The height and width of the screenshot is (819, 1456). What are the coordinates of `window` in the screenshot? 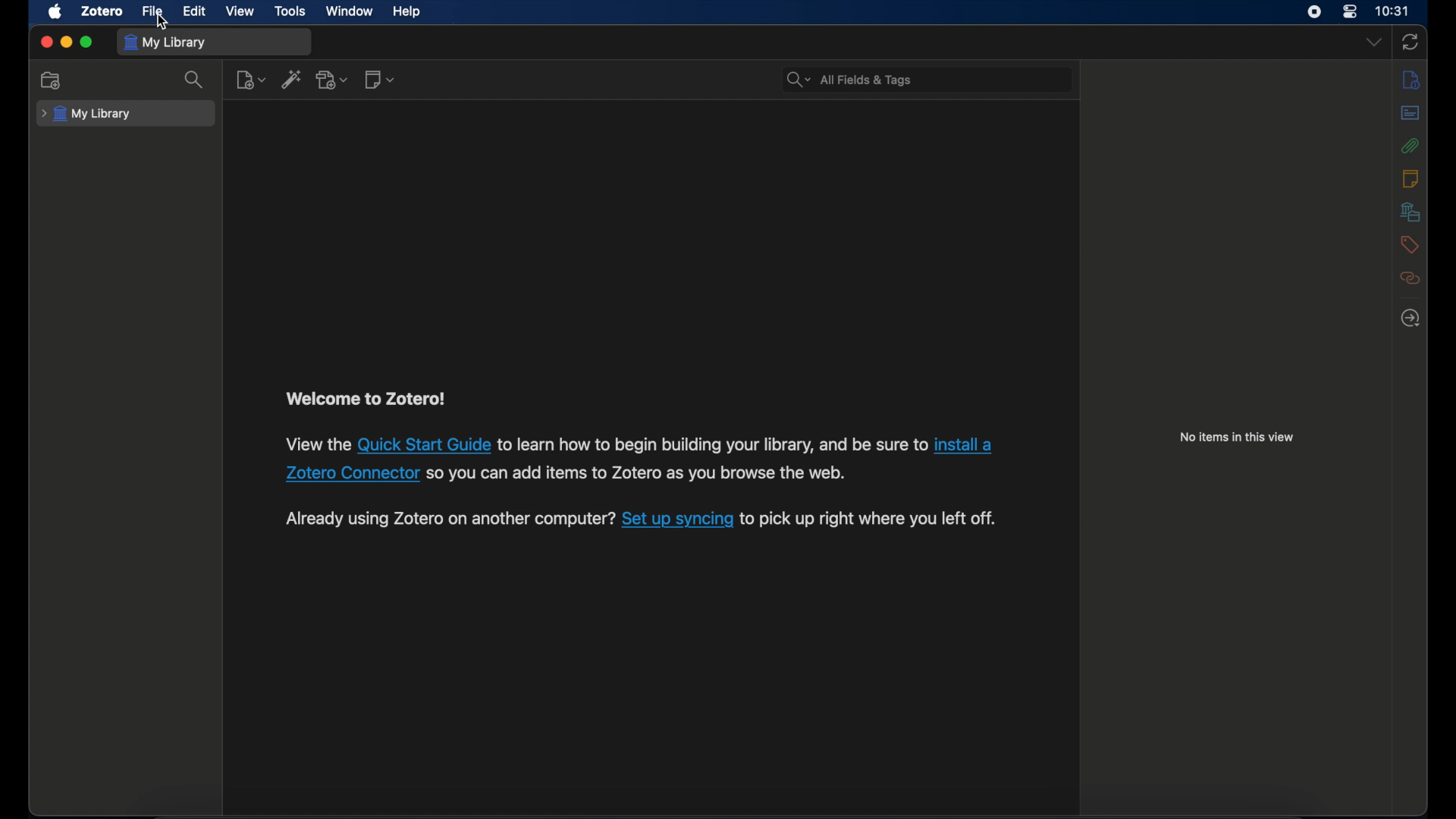 It's located at (350, 11).